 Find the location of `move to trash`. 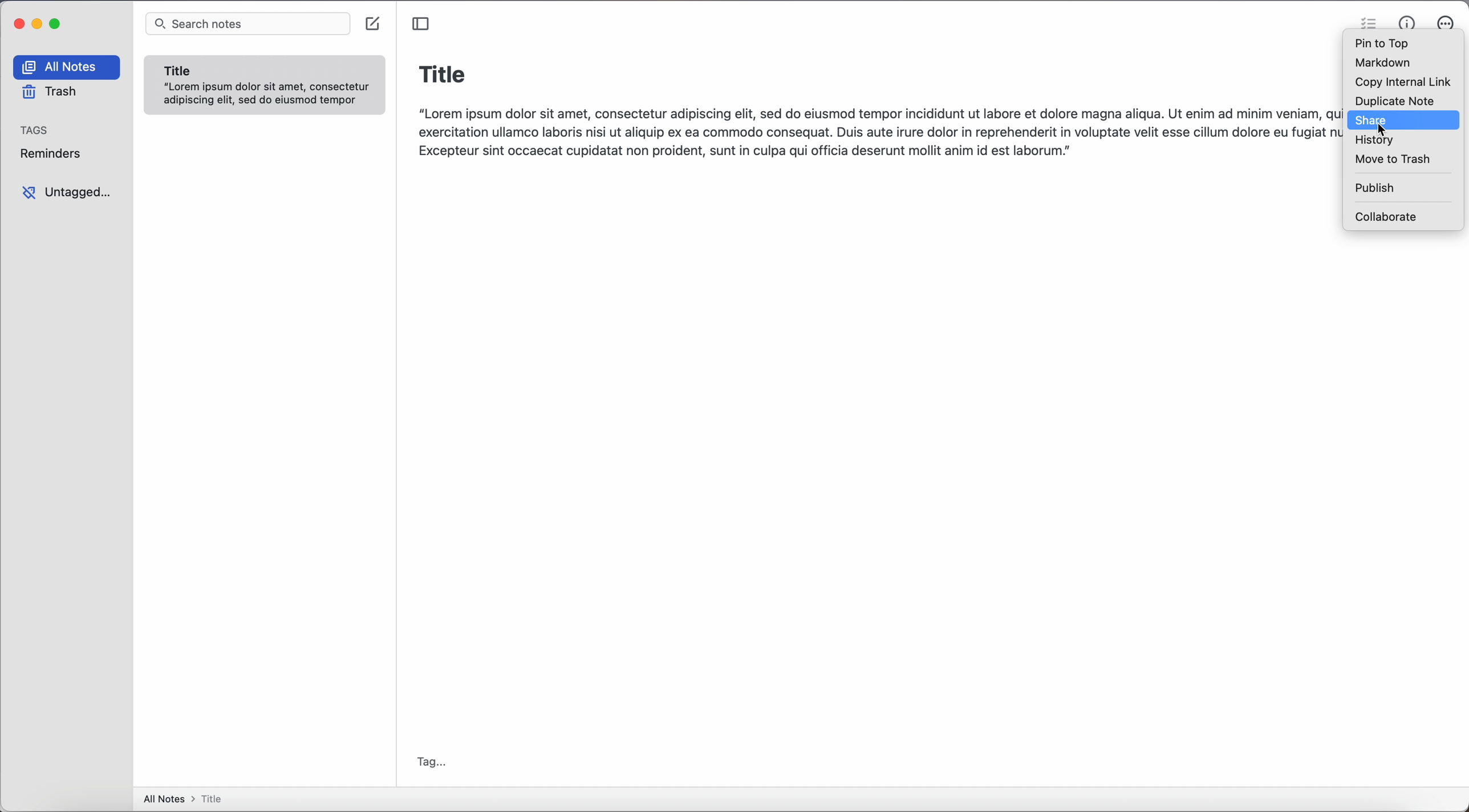

move to trash is located at coordinates (1394, 160).